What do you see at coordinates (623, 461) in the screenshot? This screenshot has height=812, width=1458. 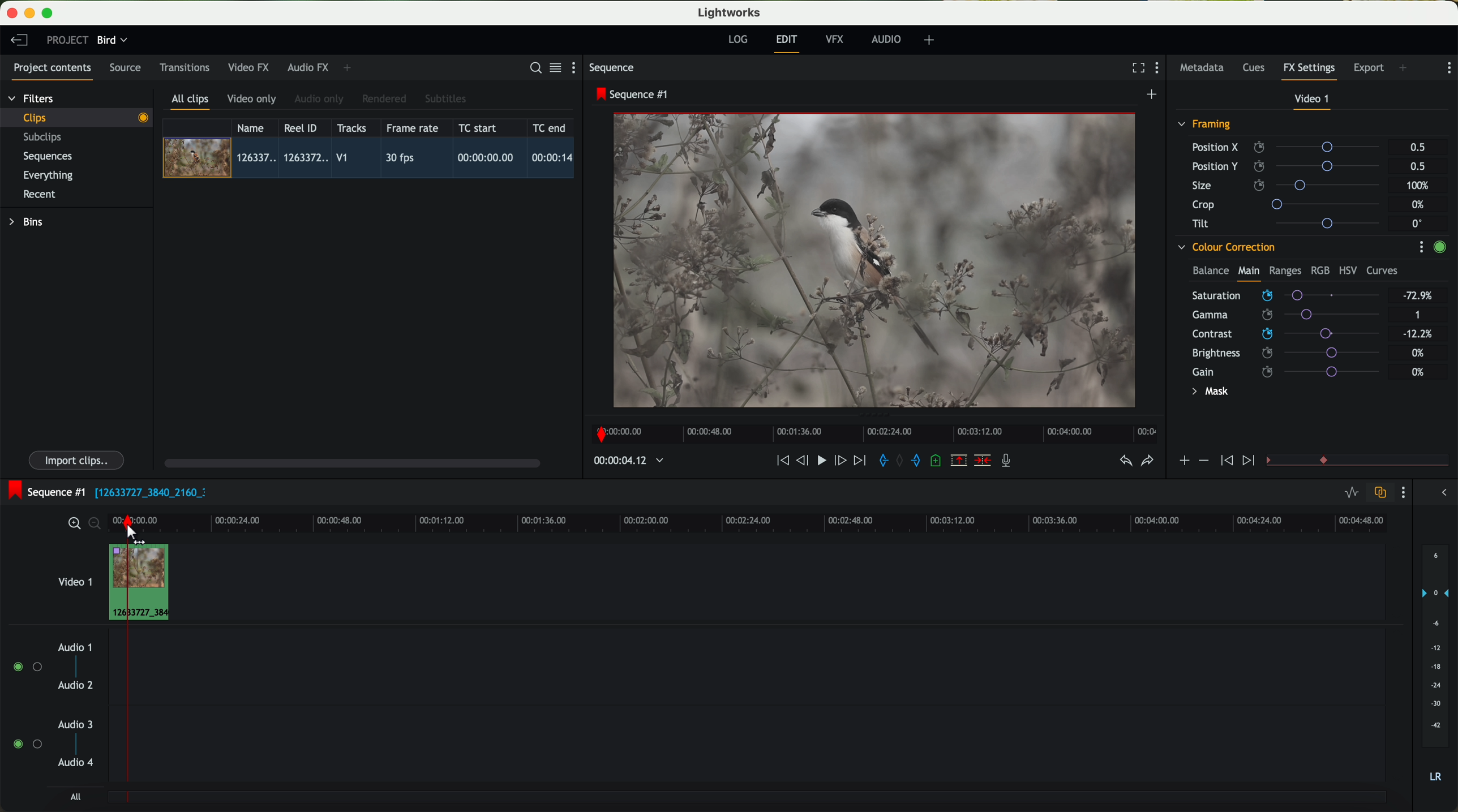 I see `timeline` at bounding box center [623, 461].